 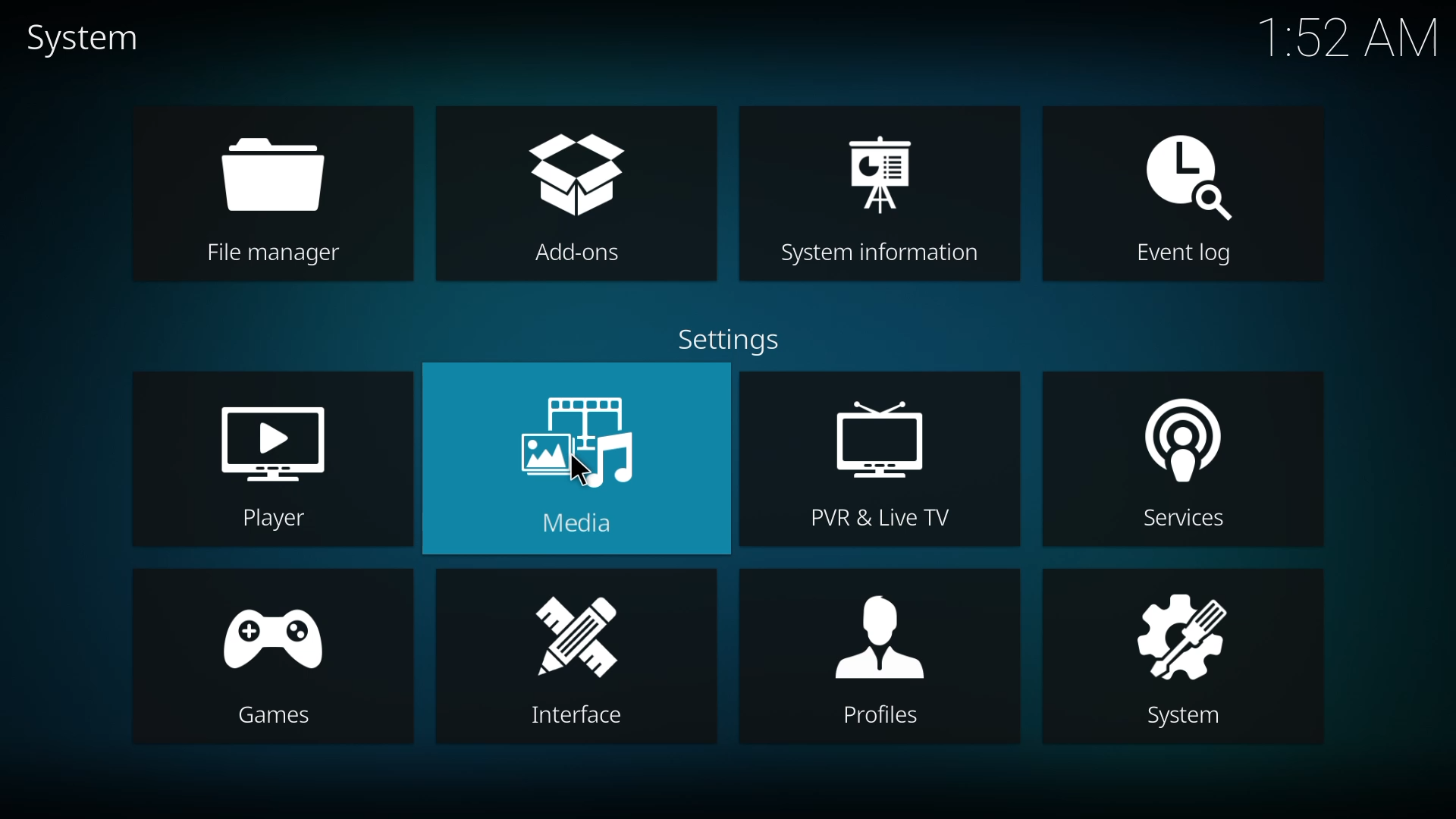 What do you see at coordinates (730, 343) in the screenshot?
I see `settings` at bounding box center [730, 343].